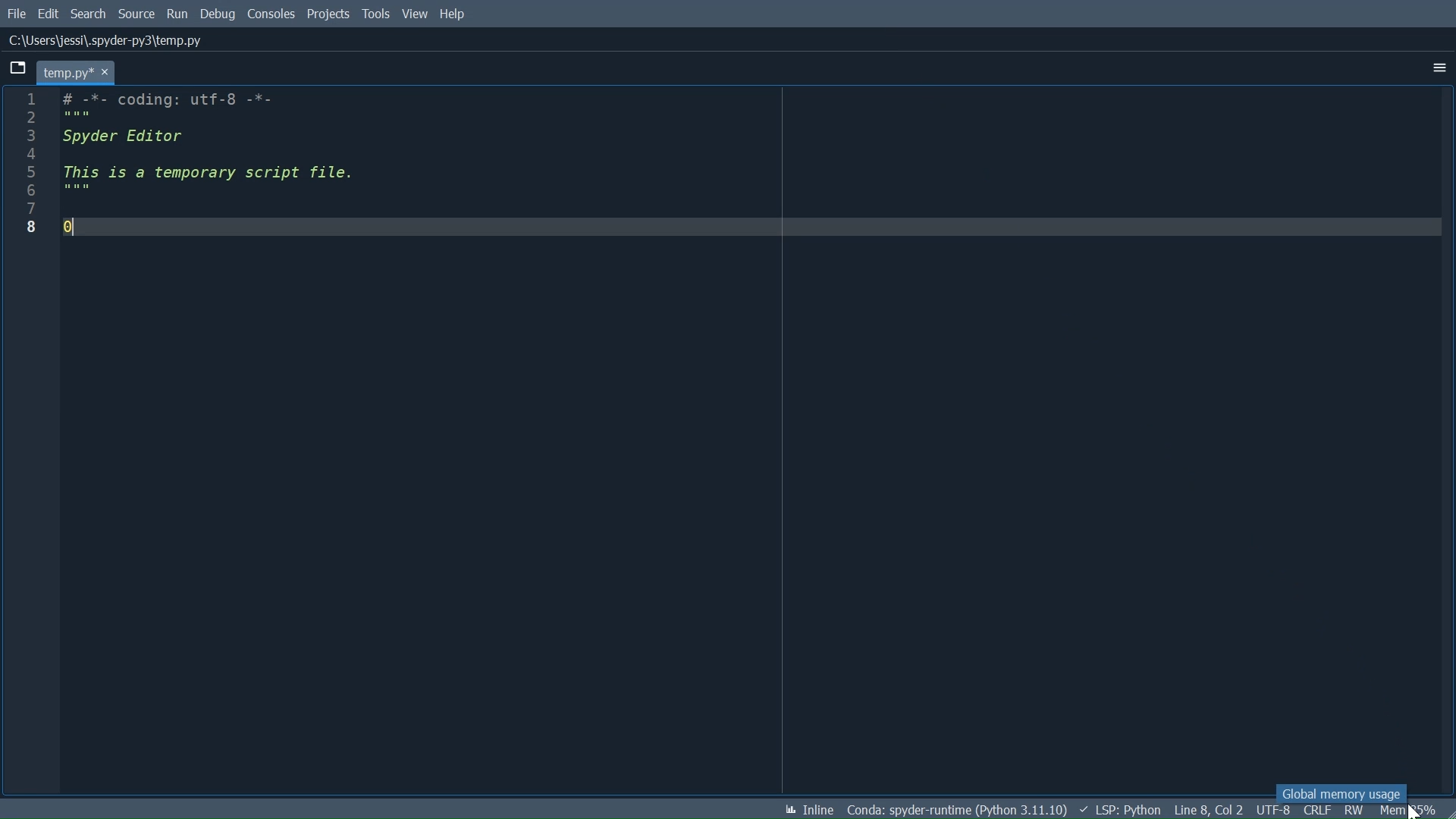 This screenshot has width=1456, height=819. Describe the element at coordinates (178, 13) in the screenshot. I see `Run` at that location.